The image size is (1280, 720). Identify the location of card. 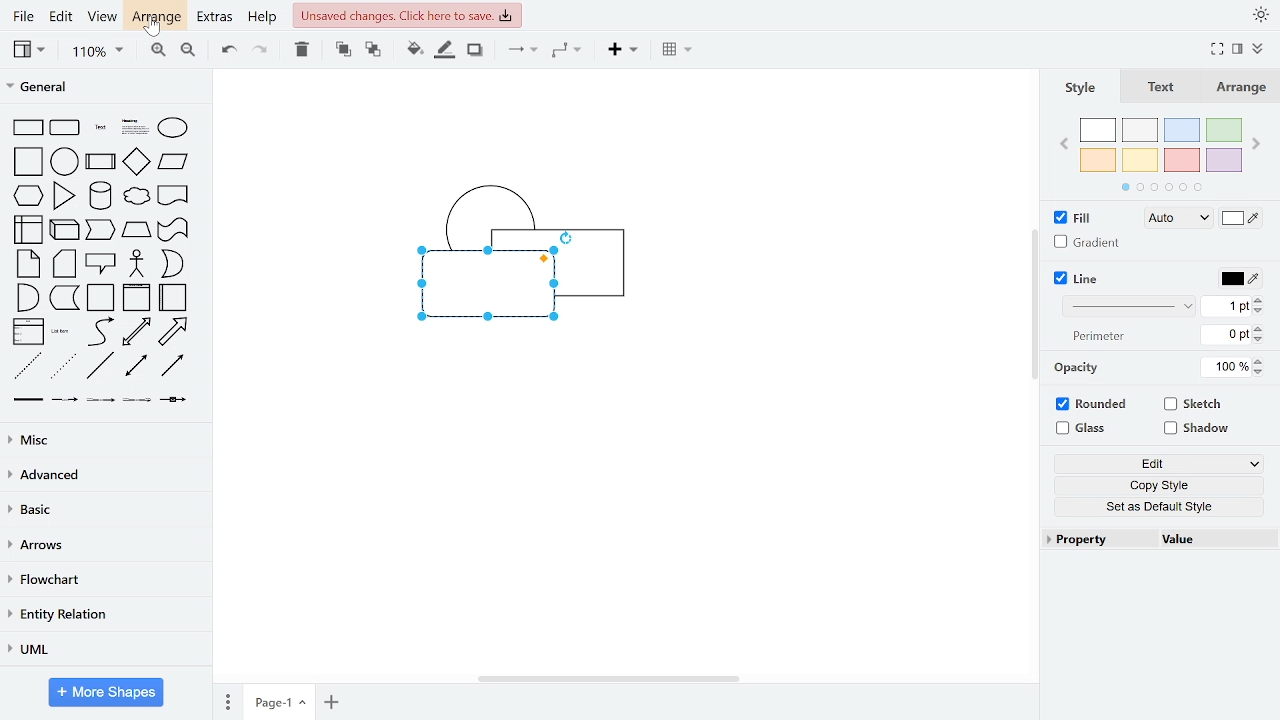
(66, 263).